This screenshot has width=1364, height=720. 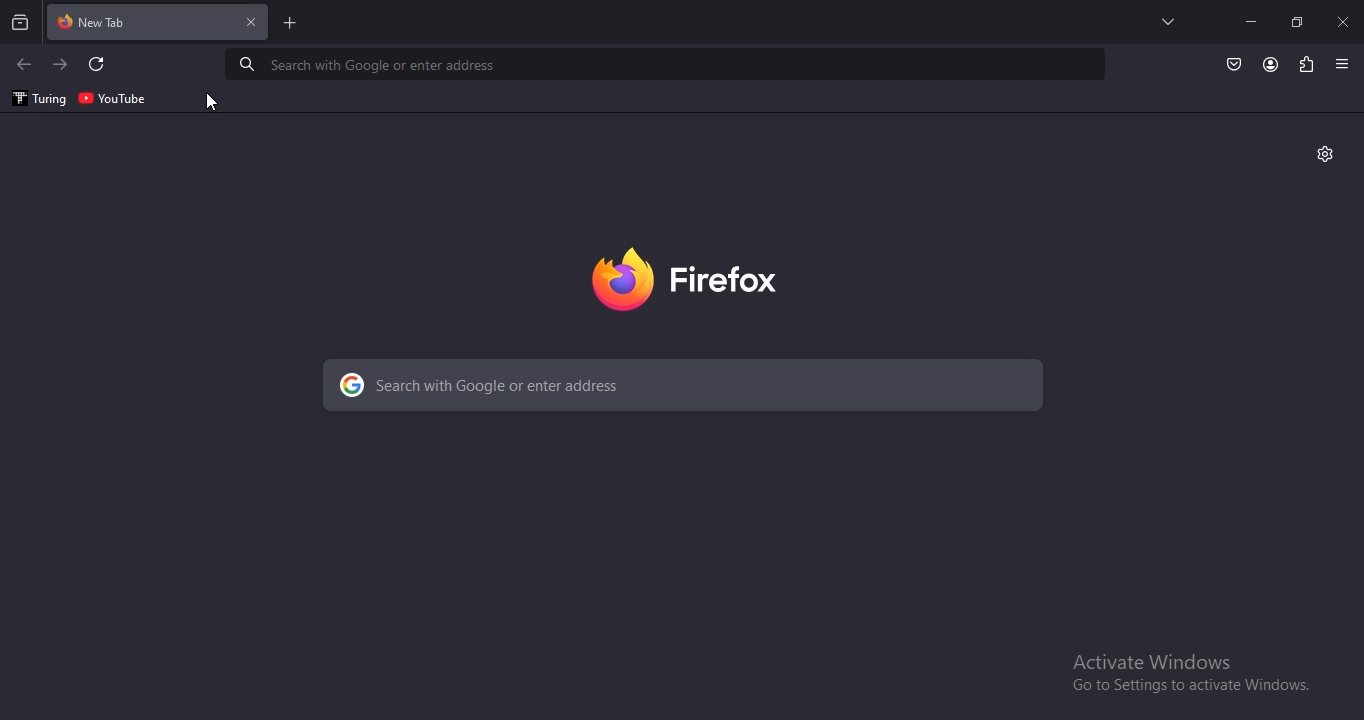 What do you see at coordinates (98, 65) in the screenshot?
I see `refresh` at bounding box center [98, 65].